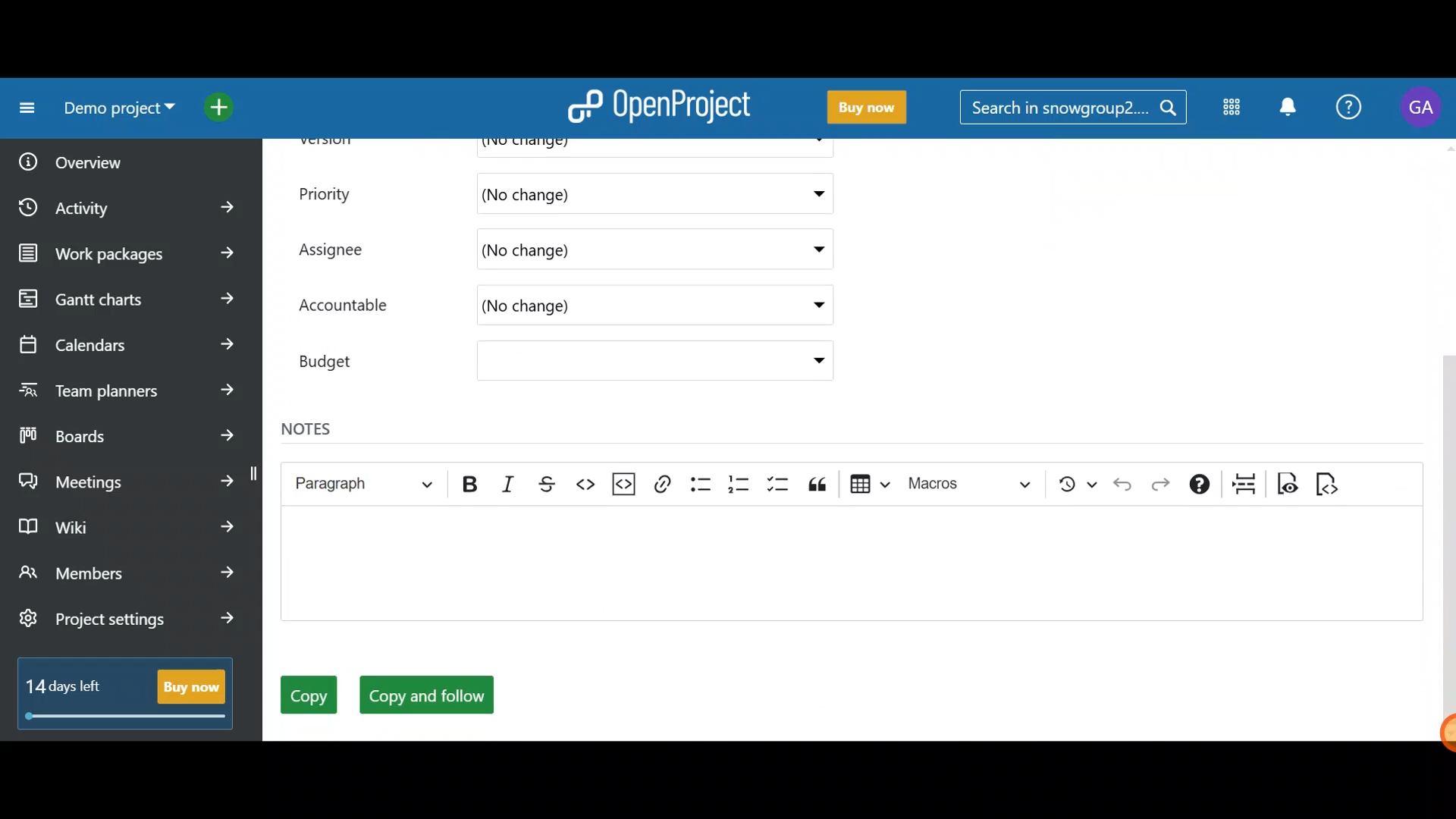  I want to click on Modules, so click(1227, 110).